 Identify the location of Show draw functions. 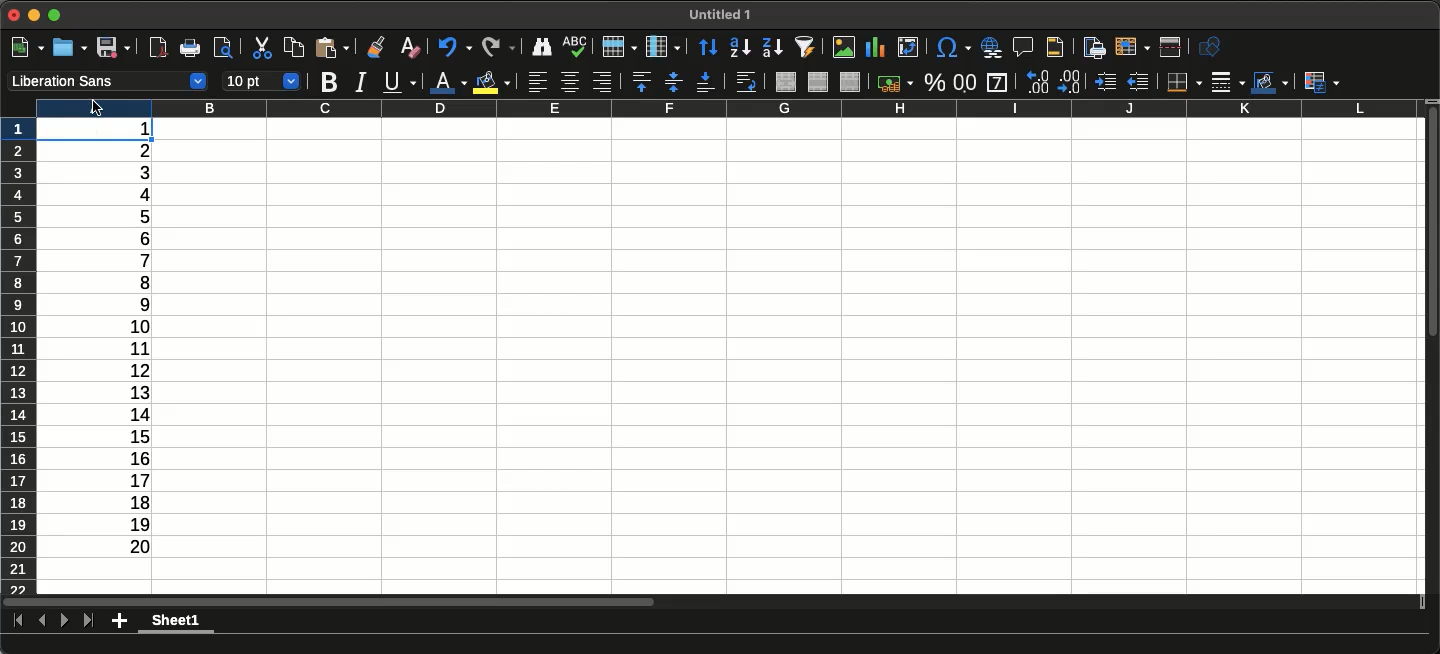
(1213, 48).